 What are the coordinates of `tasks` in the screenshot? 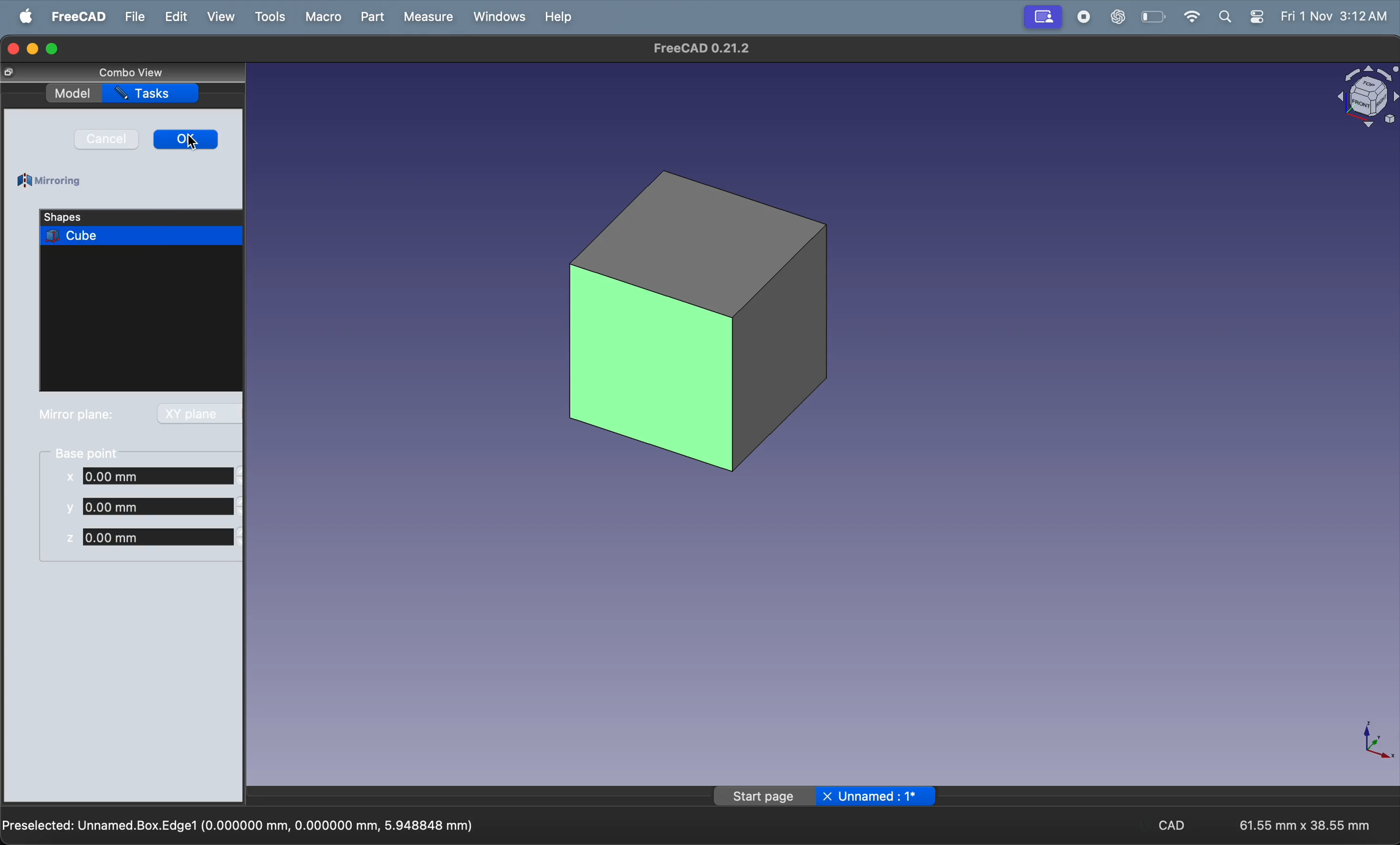 It's located at (151, 94).